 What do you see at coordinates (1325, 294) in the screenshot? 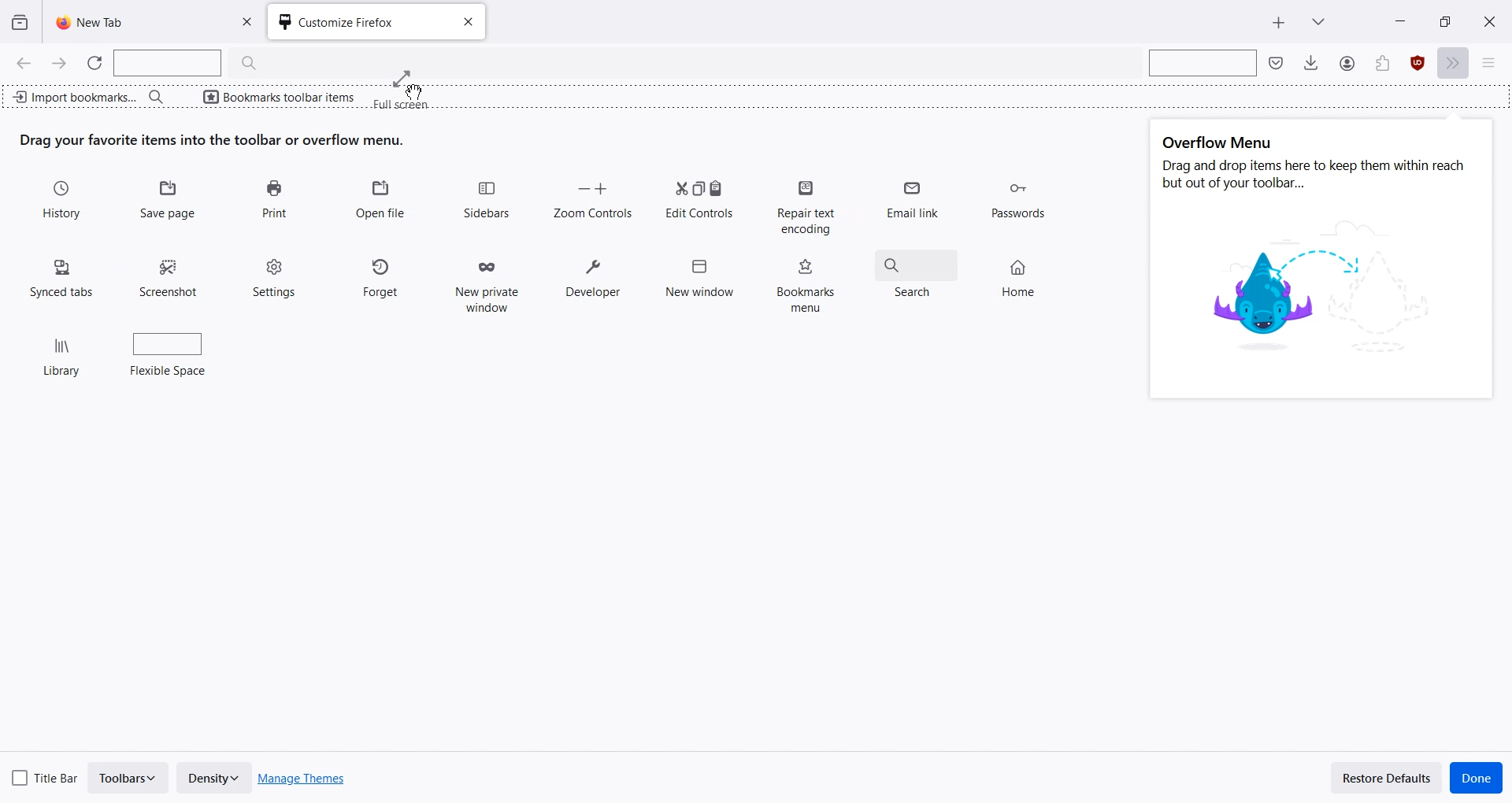
I see `image` at bounding box center [1325, 294].